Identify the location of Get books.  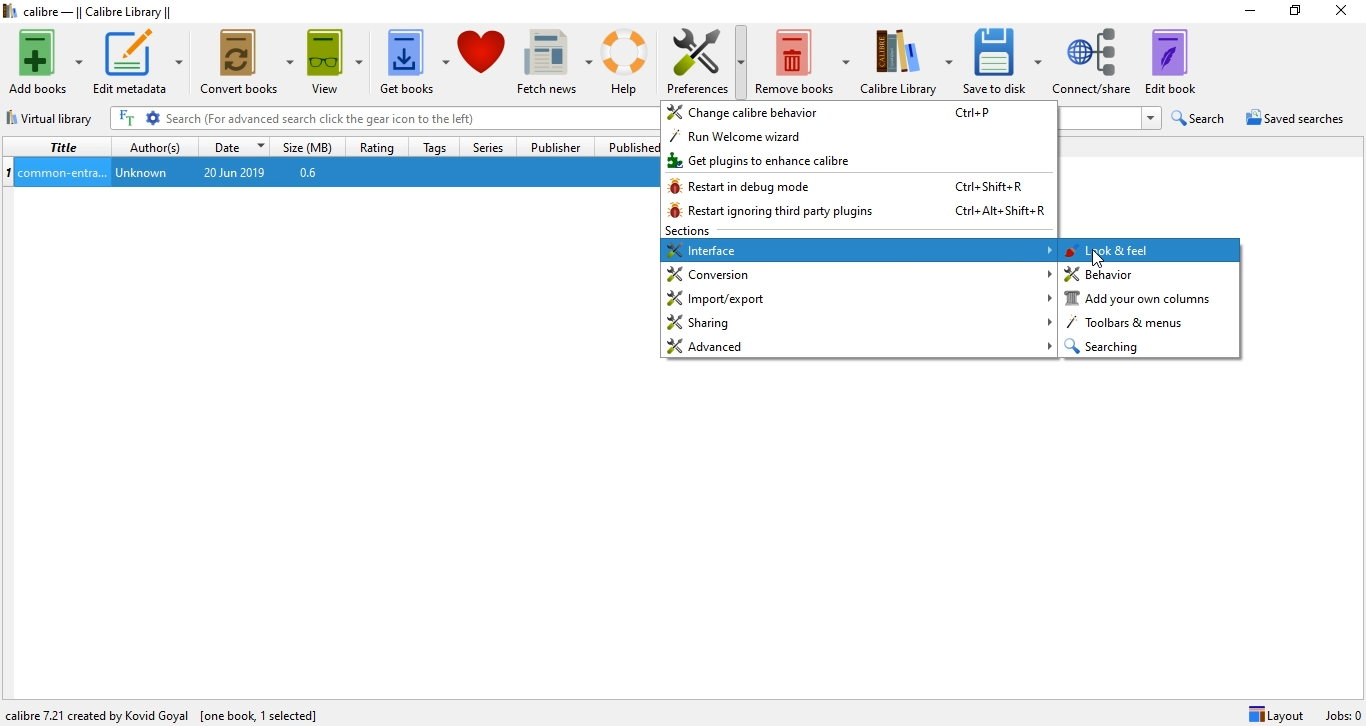
(412, 59).